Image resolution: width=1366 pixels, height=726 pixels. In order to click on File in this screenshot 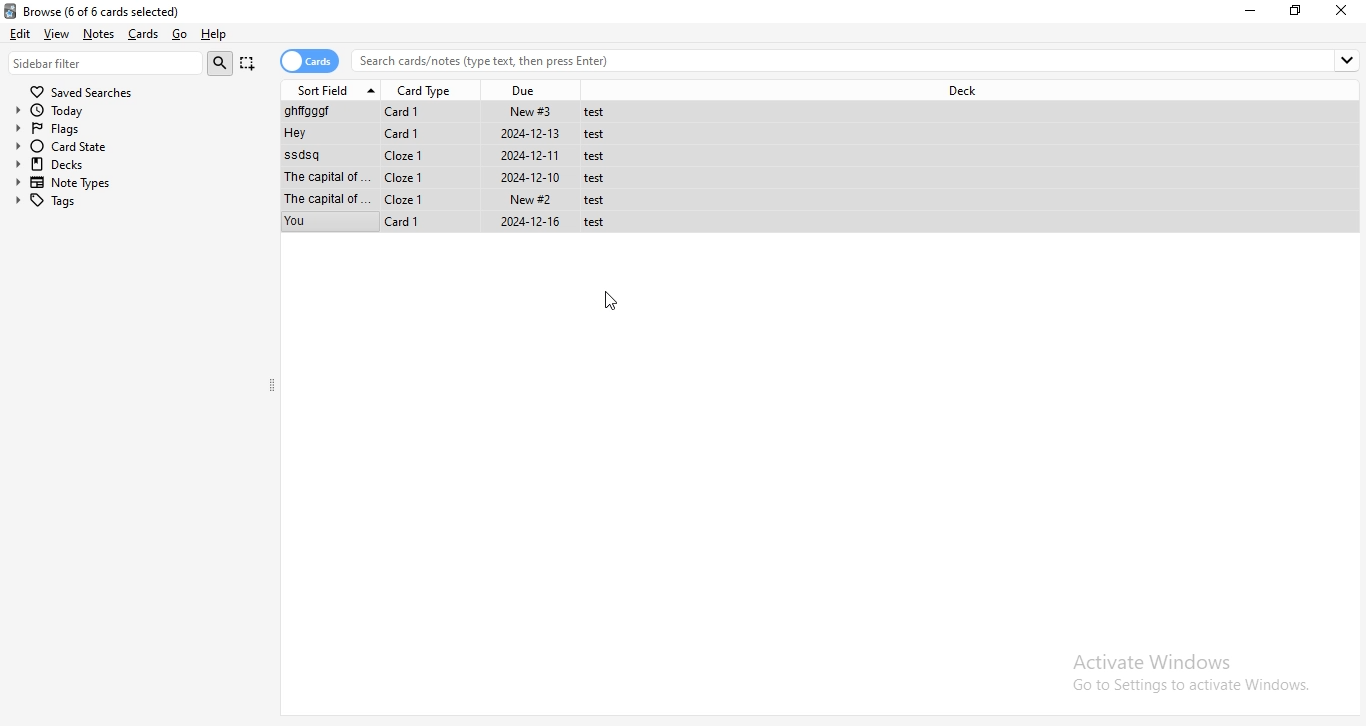, I will do `click(456, 176)`.